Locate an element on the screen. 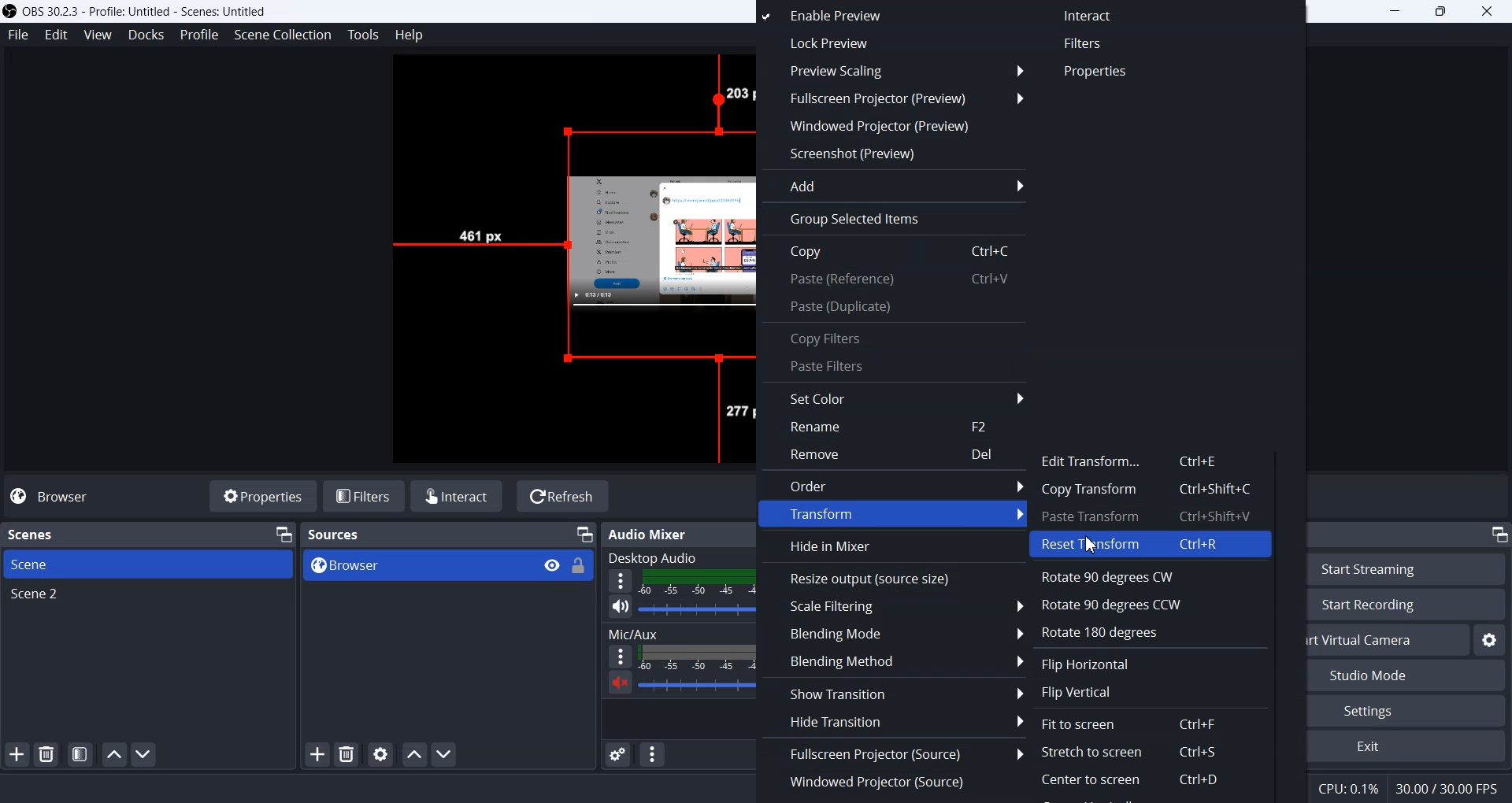 This screenshot has width=1512, height=803. Fullscreen Projector is located at coordinates (895, 98).